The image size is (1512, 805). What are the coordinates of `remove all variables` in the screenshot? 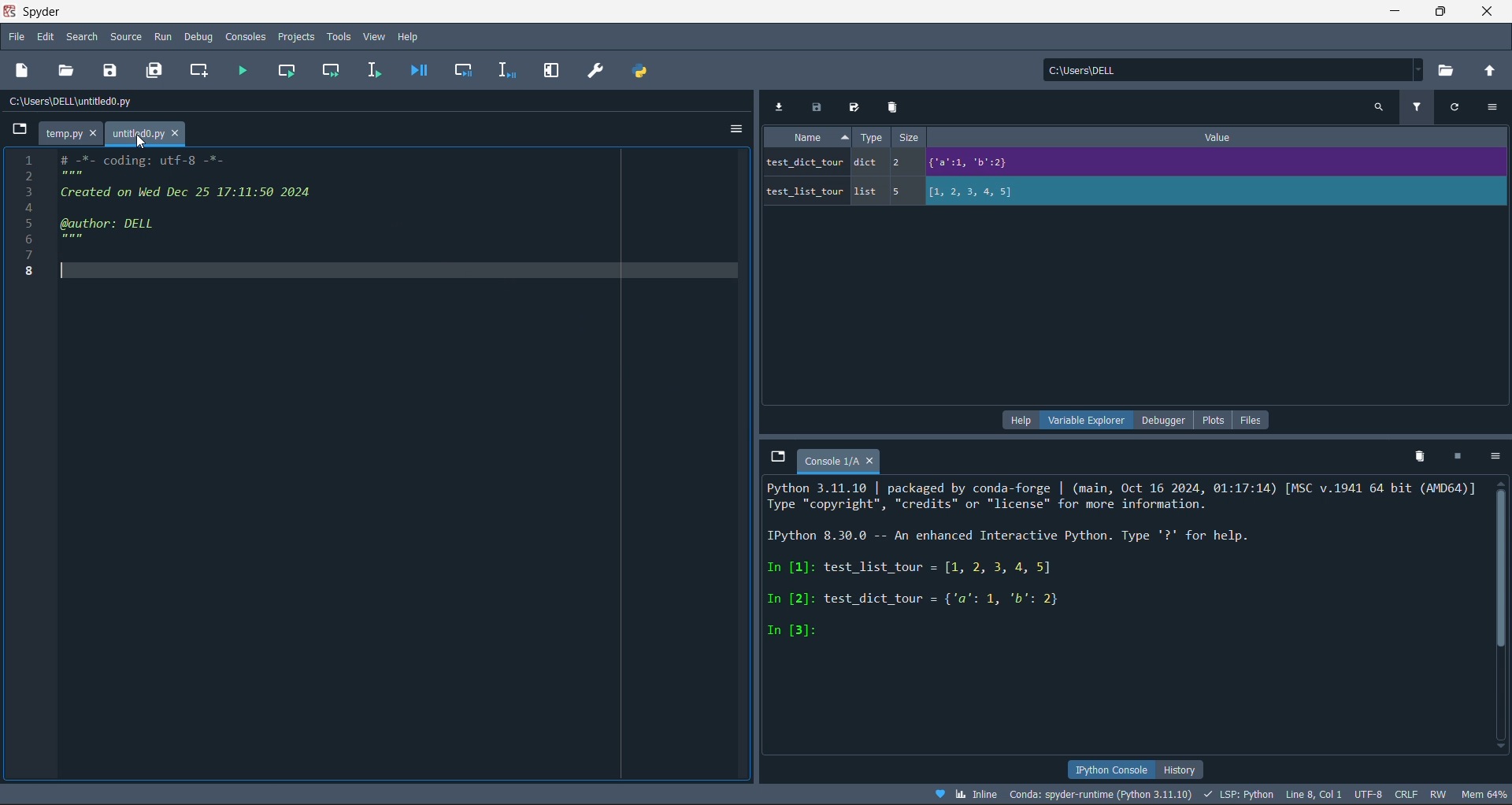 It's located at (895, 106).